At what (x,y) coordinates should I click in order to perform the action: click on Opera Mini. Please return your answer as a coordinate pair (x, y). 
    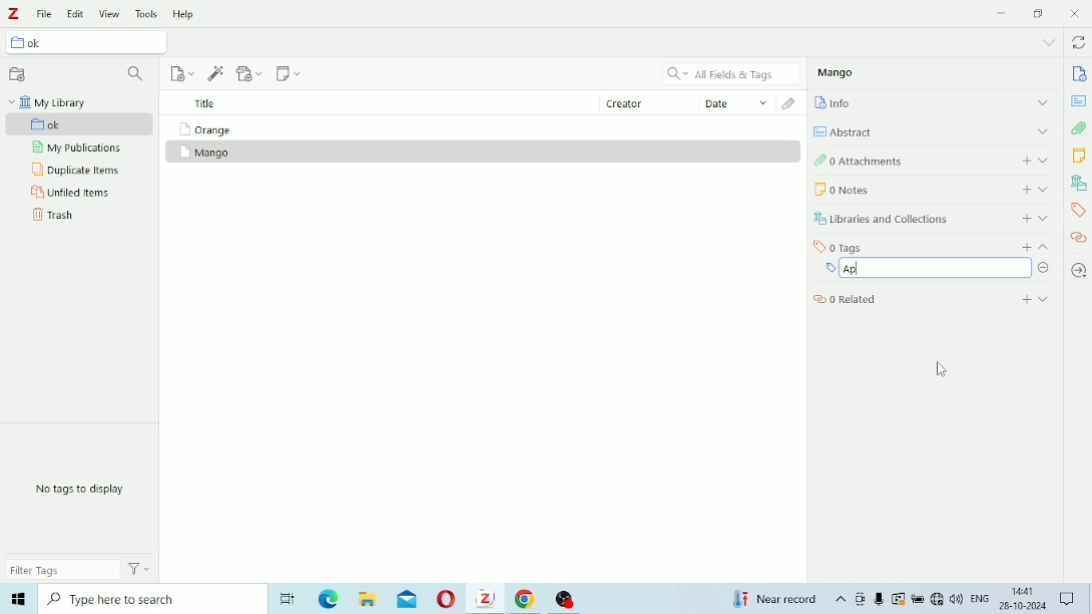
    Looking at the image, I should click on (448, 598).